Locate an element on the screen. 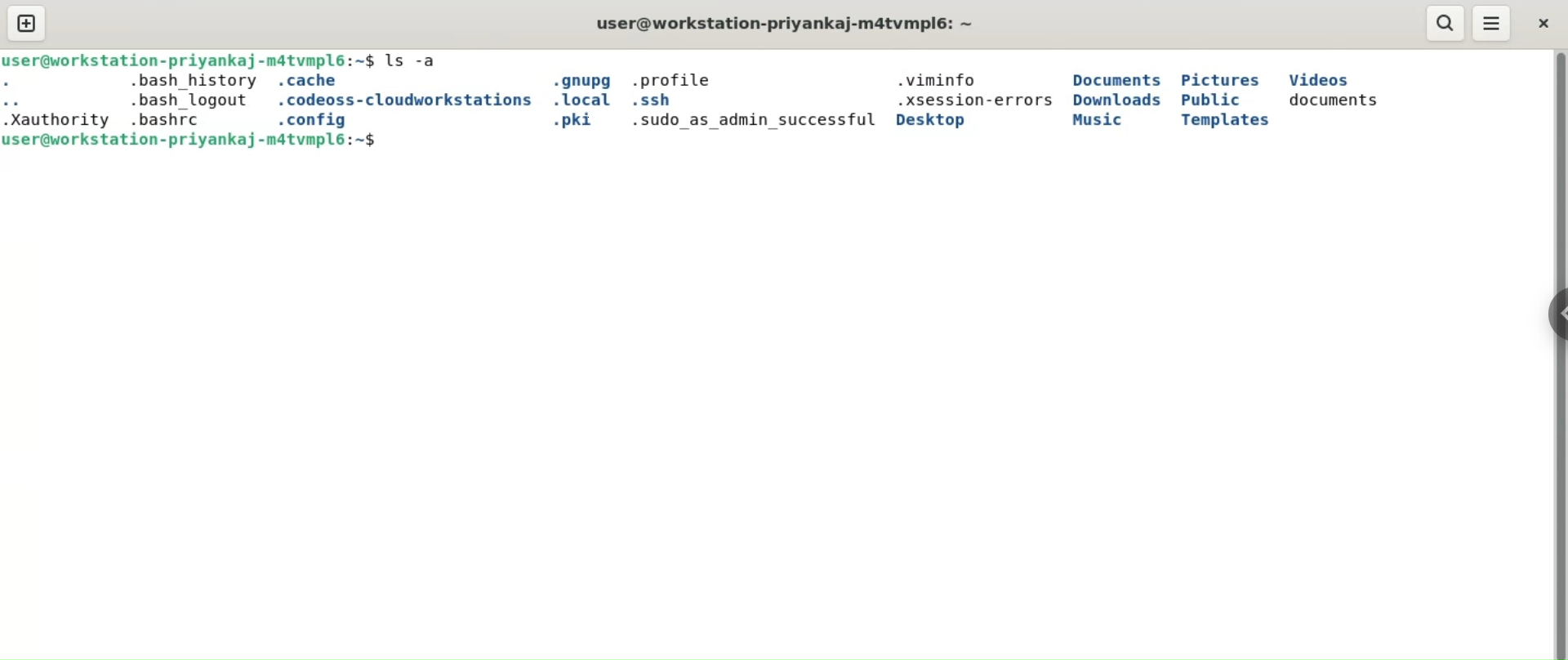 The height and width of the screenshot is (660, 1568). user@workstation-priyankaj-m4tvmpl6: ~$ is located at coordinates (194, 141).